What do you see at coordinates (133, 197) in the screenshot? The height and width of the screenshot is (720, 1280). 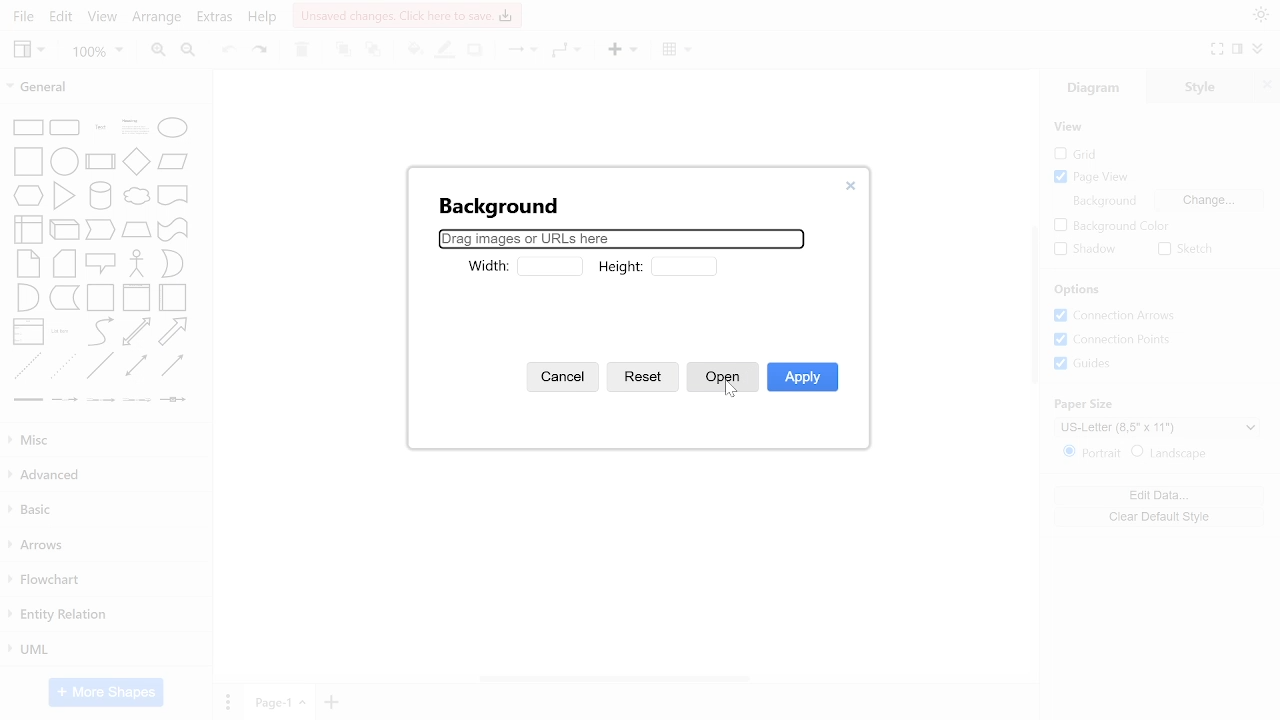 I see `general shapes` at bounding box center [133, 197].